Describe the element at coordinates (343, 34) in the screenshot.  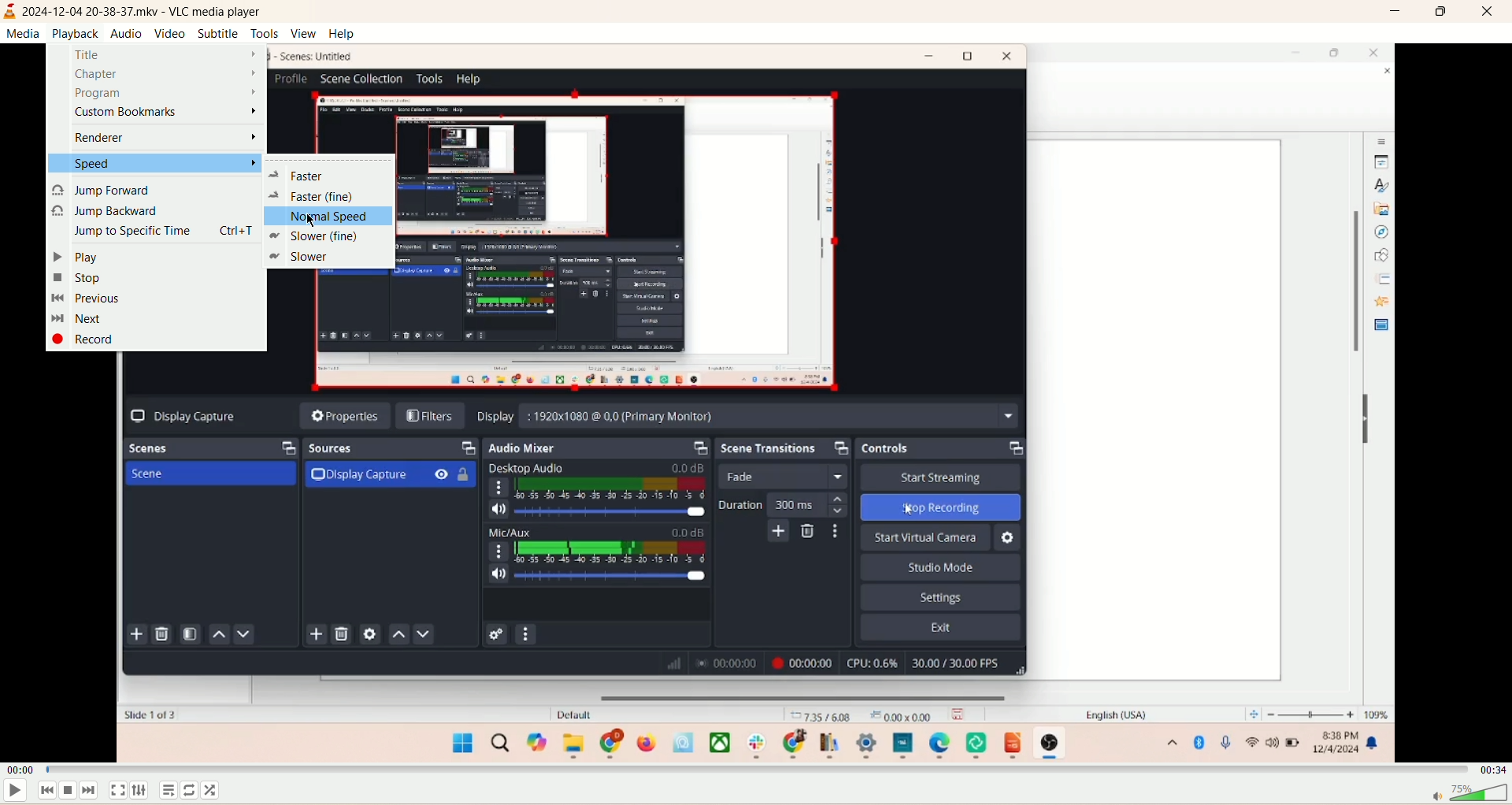
I see `help` at that location.